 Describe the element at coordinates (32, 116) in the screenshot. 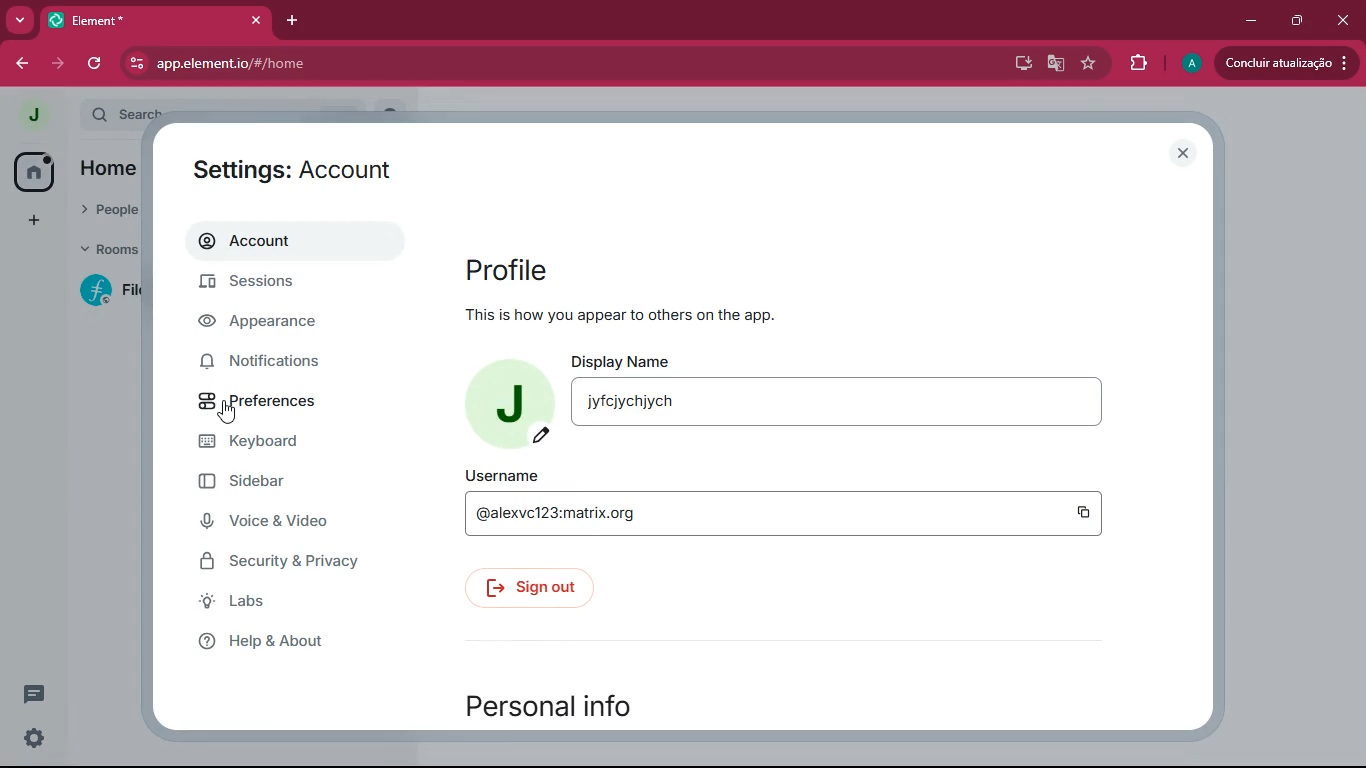

I see `profile picture` at that location.